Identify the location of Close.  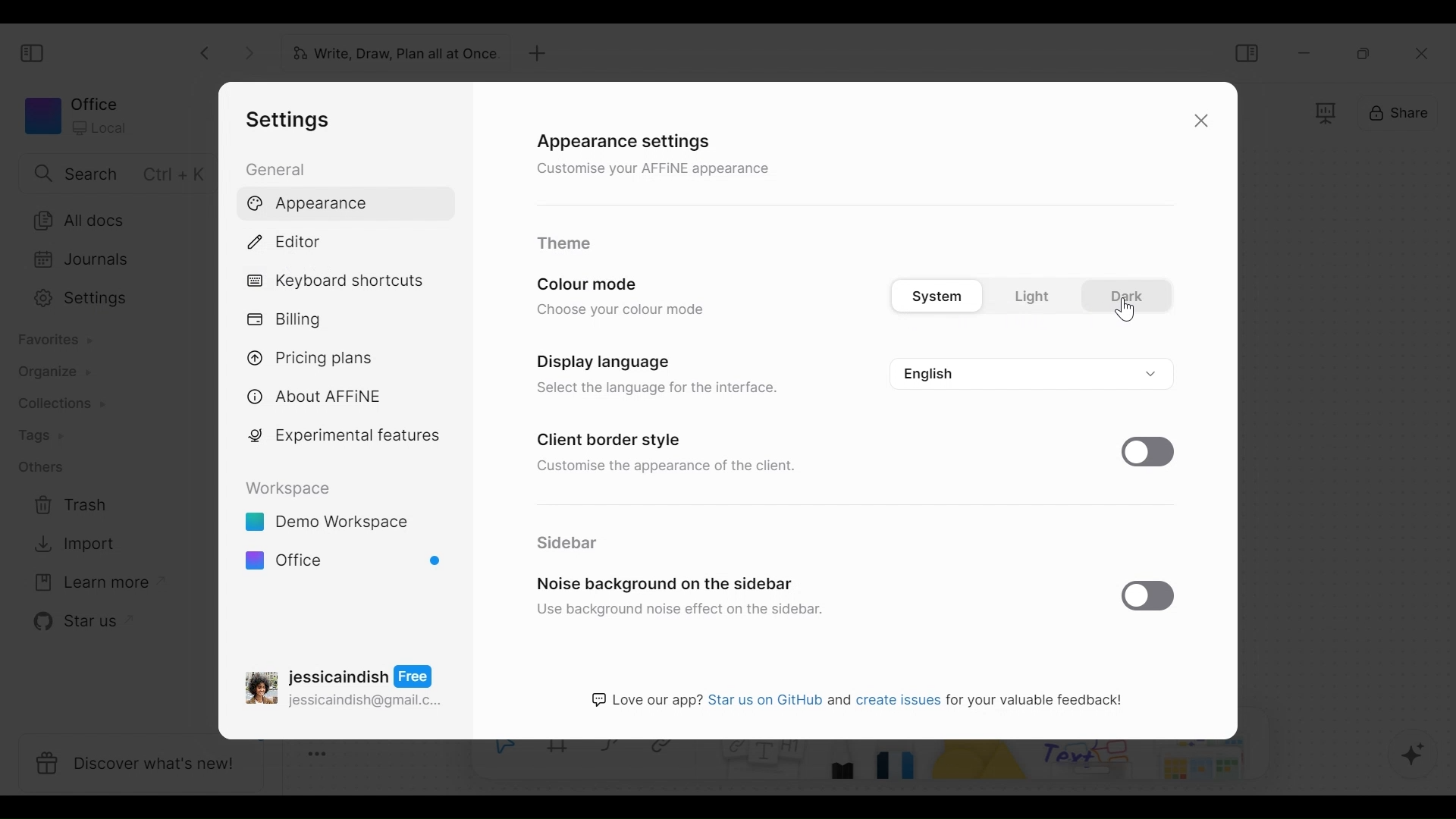
(1199, 120).